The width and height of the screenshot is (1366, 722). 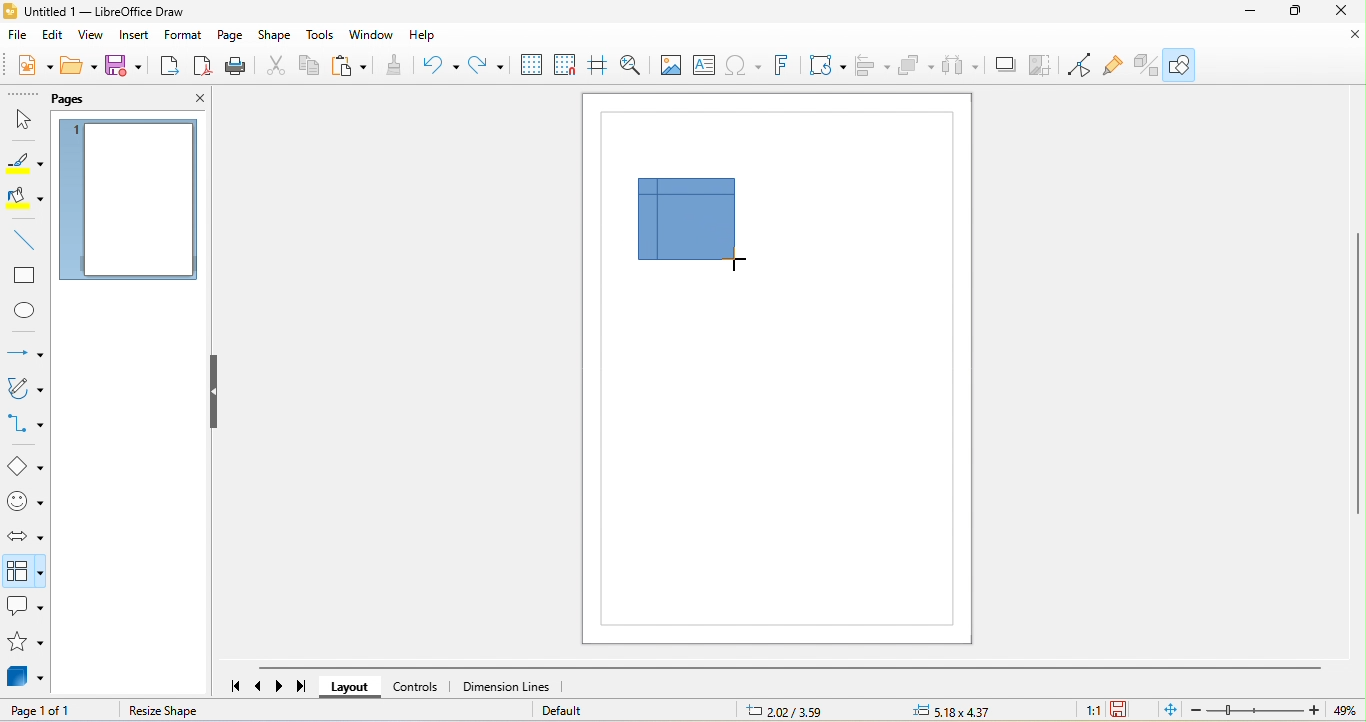 What do you see at coordinates (601, 66) in the screenshot?
I see `helplines while moving` at bounding box center [601, 66].